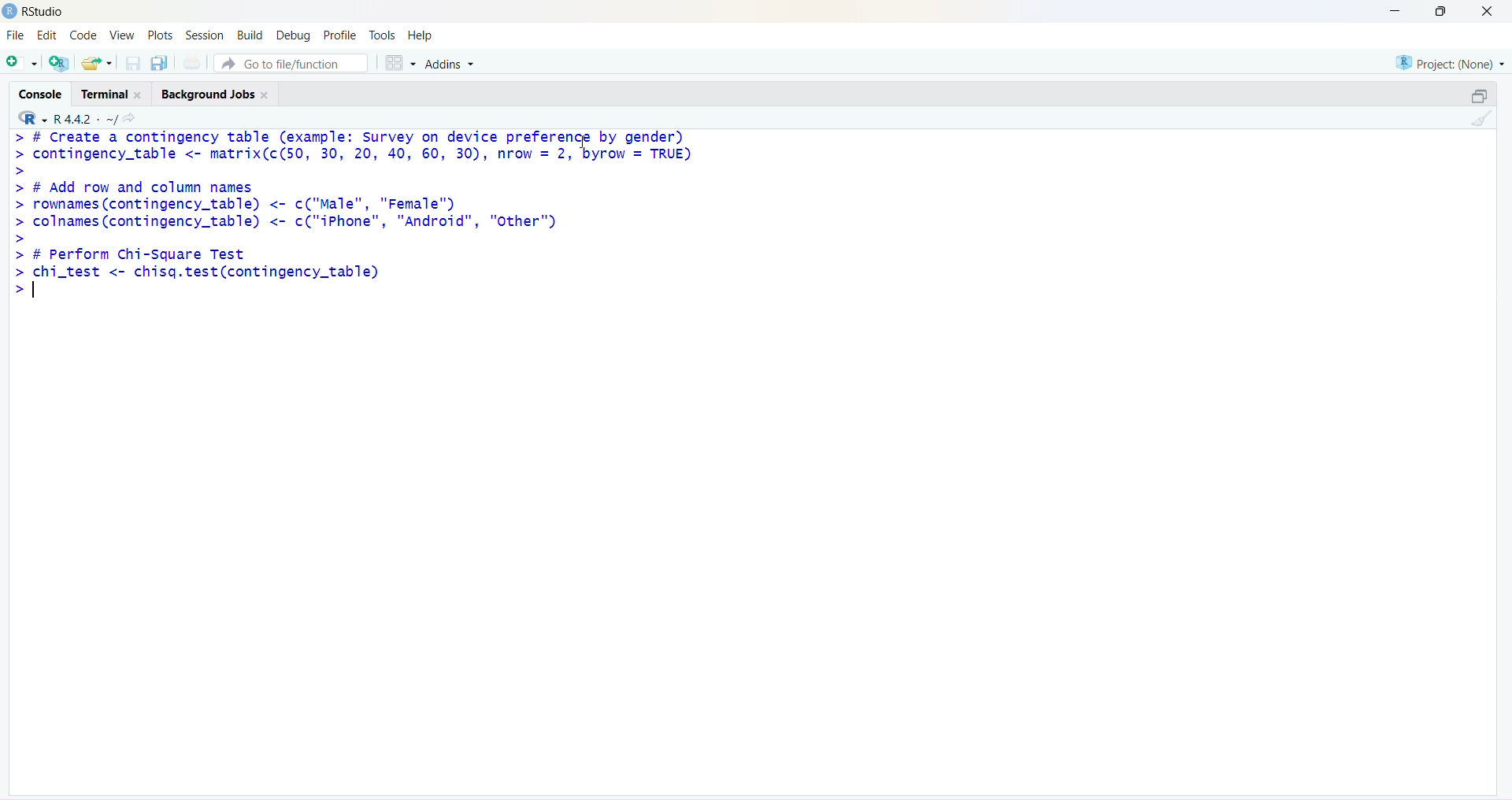  I want to click on Profile, so click(343, 36).